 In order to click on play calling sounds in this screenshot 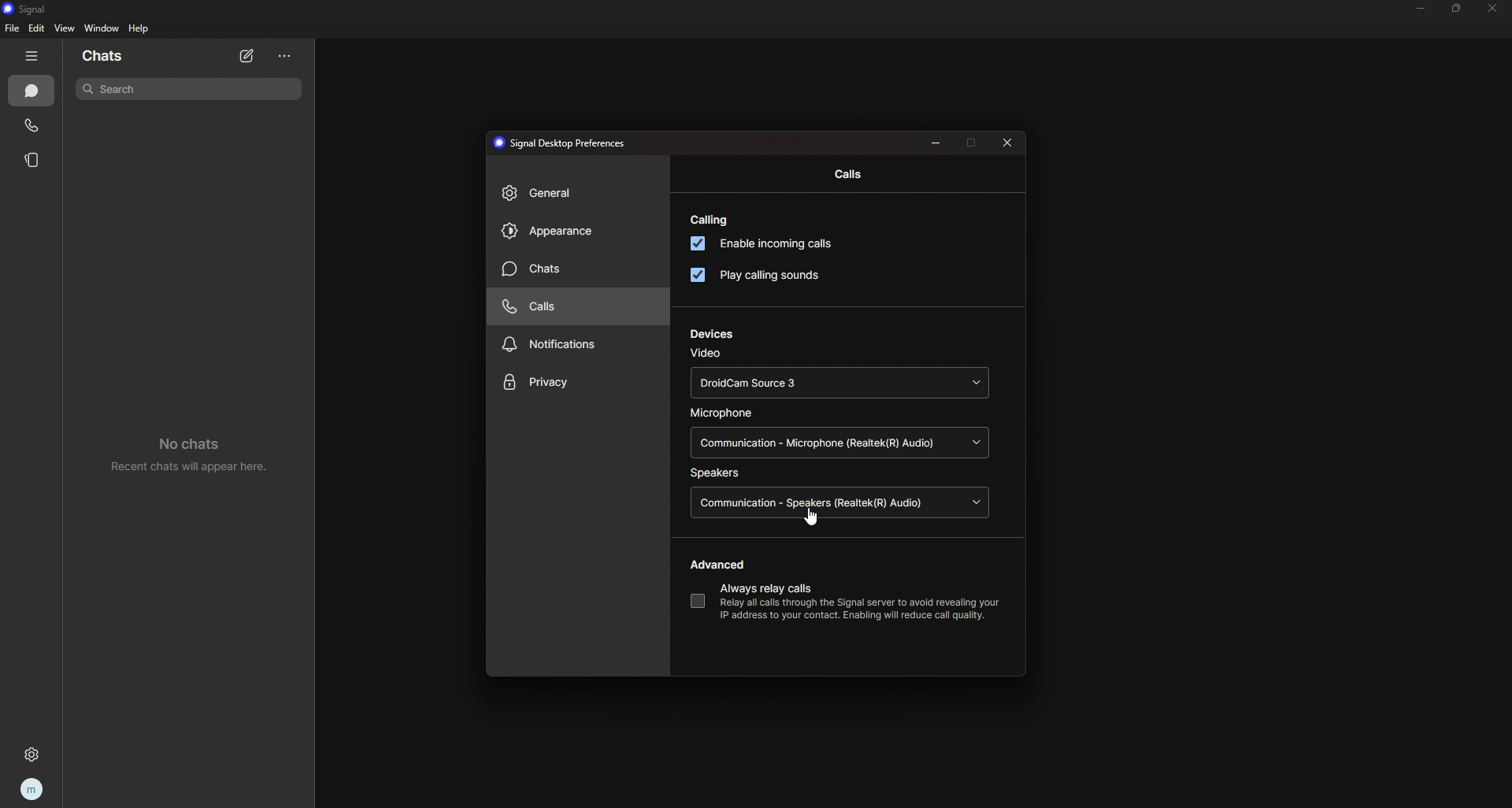, I will do `click(758, 273)`.